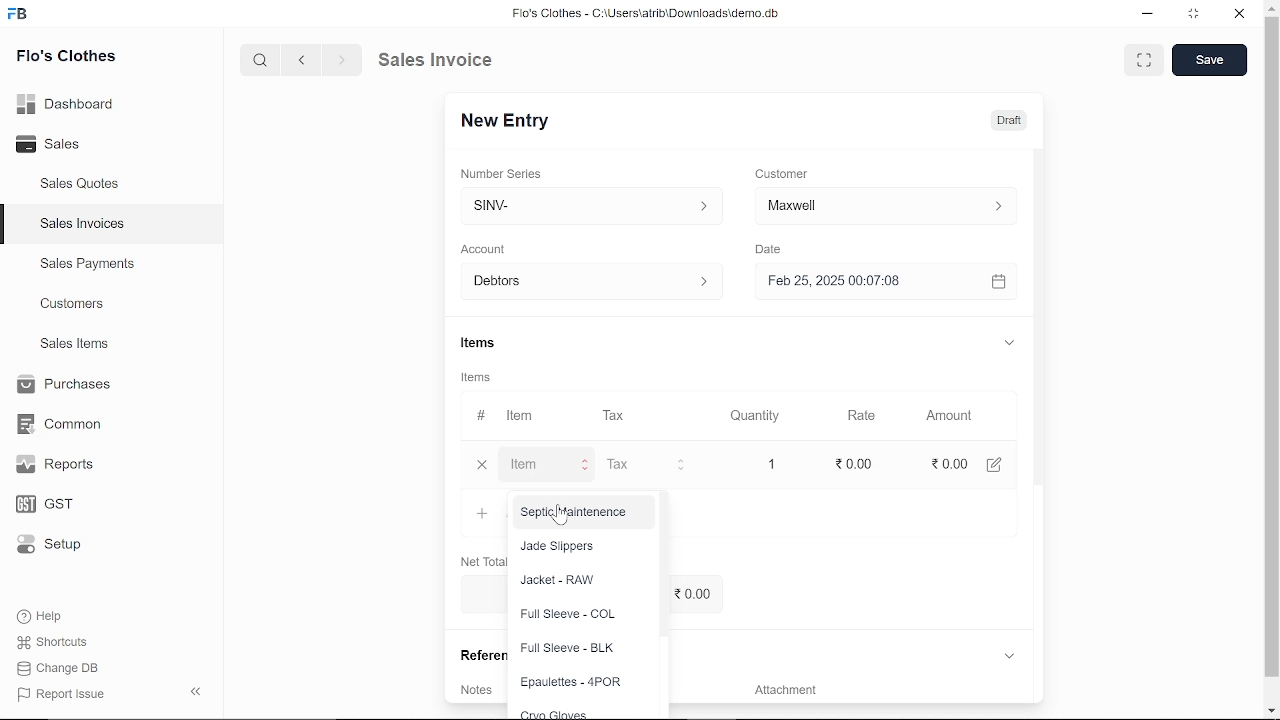  Describe the element at coordinates (76, 345) in the screenshot. I see `Sales Items.` at that location.